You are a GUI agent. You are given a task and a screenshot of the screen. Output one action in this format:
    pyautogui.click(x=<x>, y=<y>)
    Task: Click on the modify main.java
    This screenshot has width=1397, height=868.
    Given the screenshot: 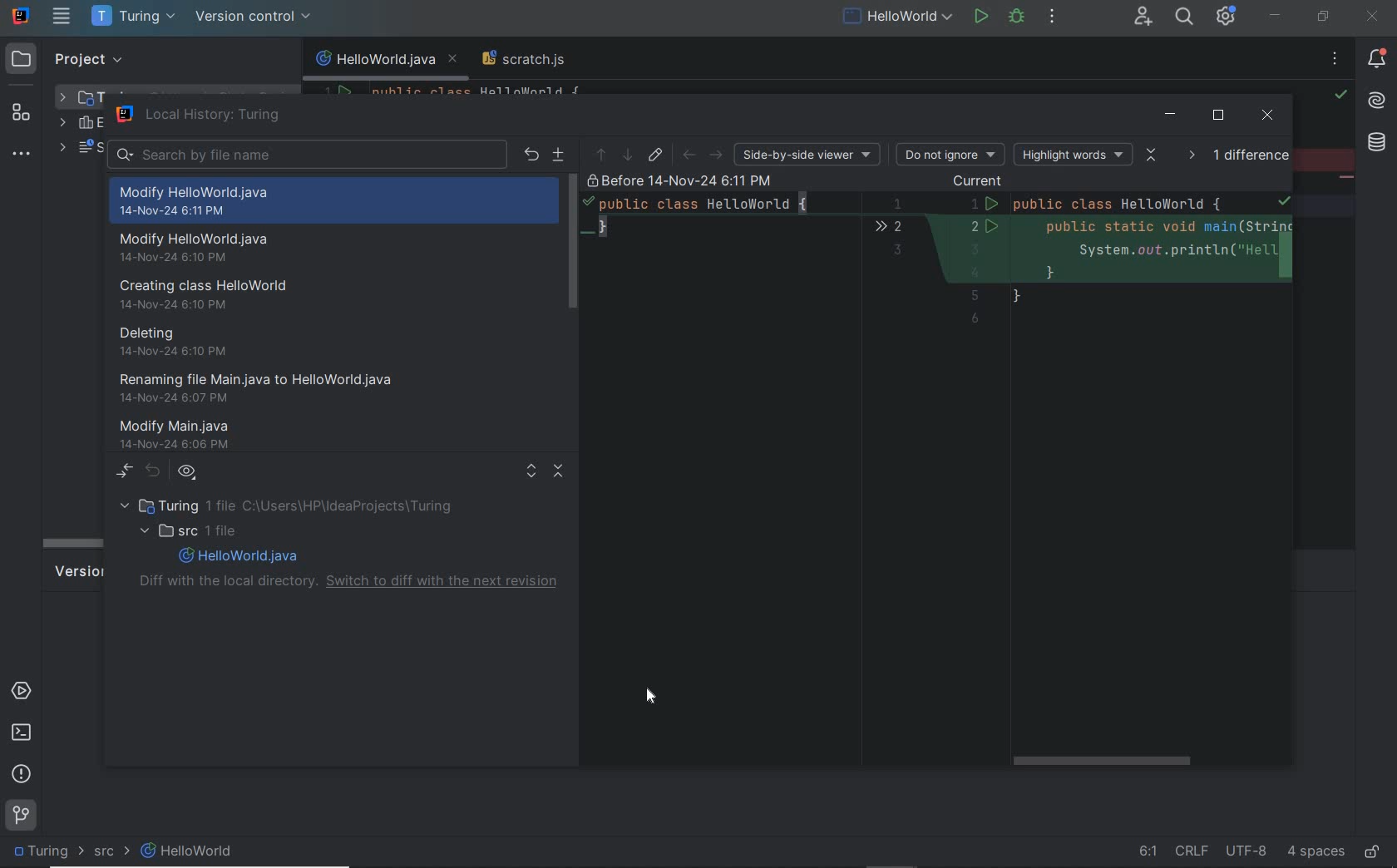 What is the action you would take?
    pyautogui.click(x=184, y=431)
    